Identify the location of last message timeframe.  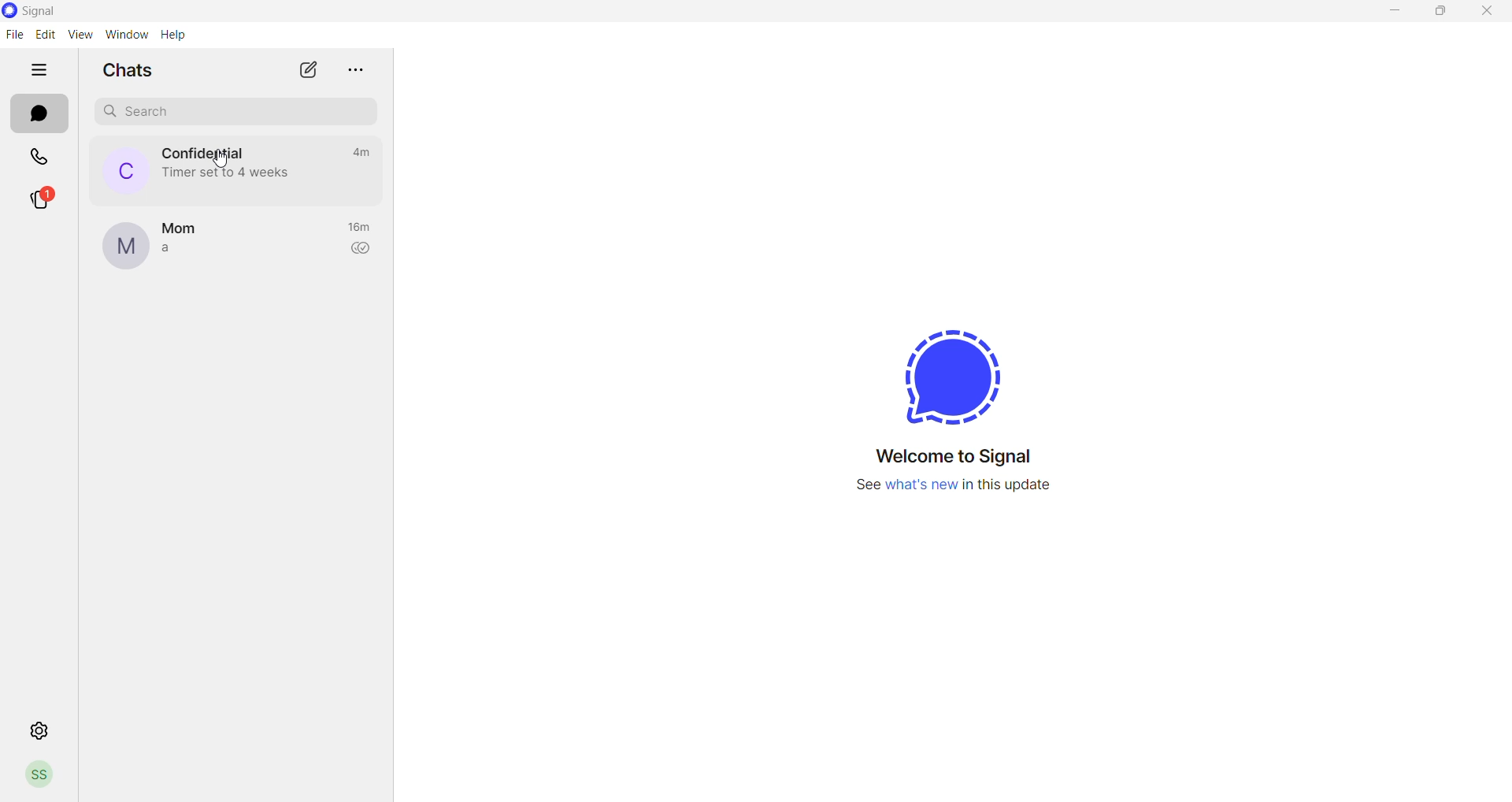
(358, 152).